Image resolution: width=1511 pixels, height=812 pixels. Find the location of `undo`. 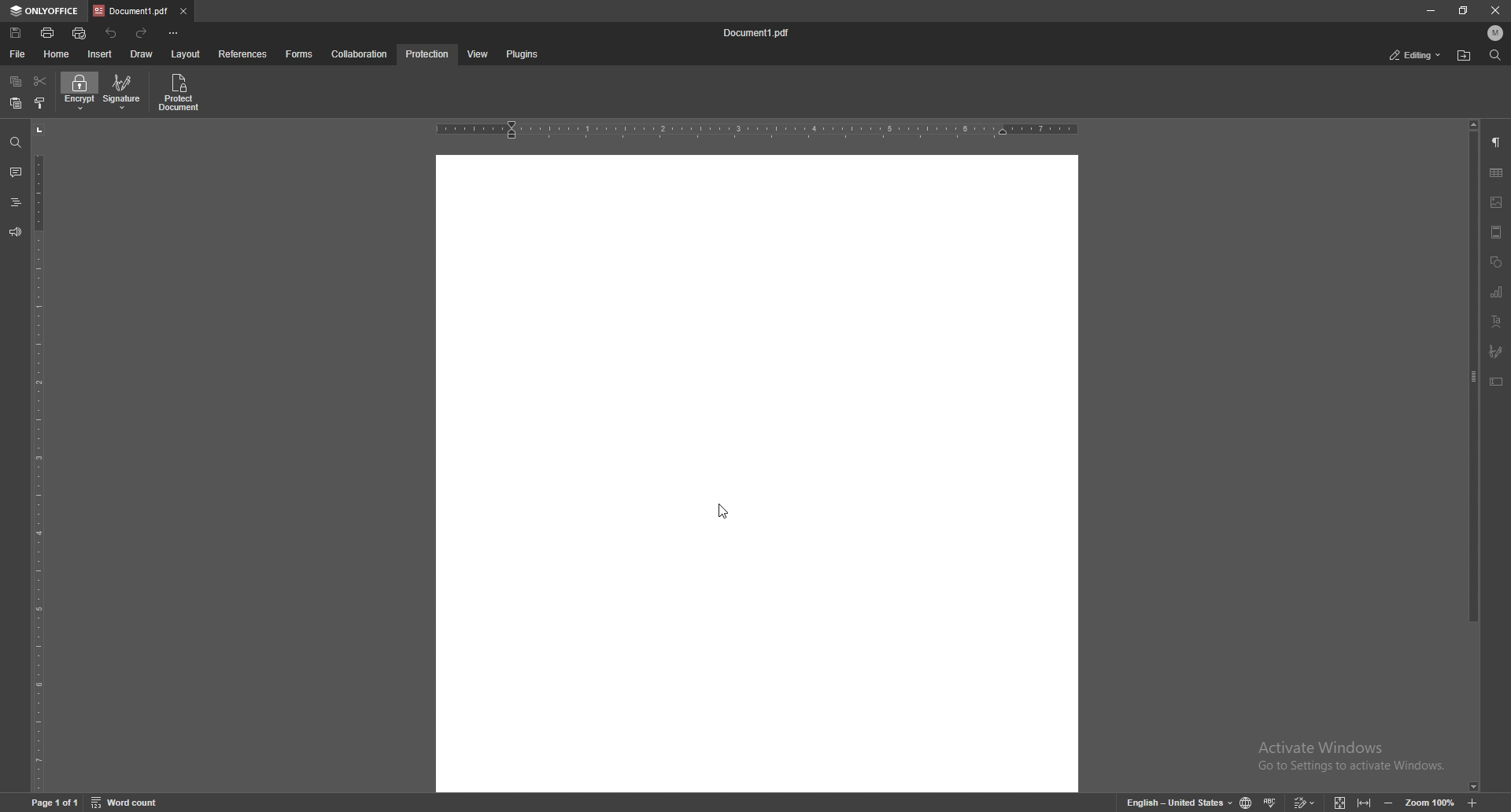

undo is located at coordinates (112, 34).